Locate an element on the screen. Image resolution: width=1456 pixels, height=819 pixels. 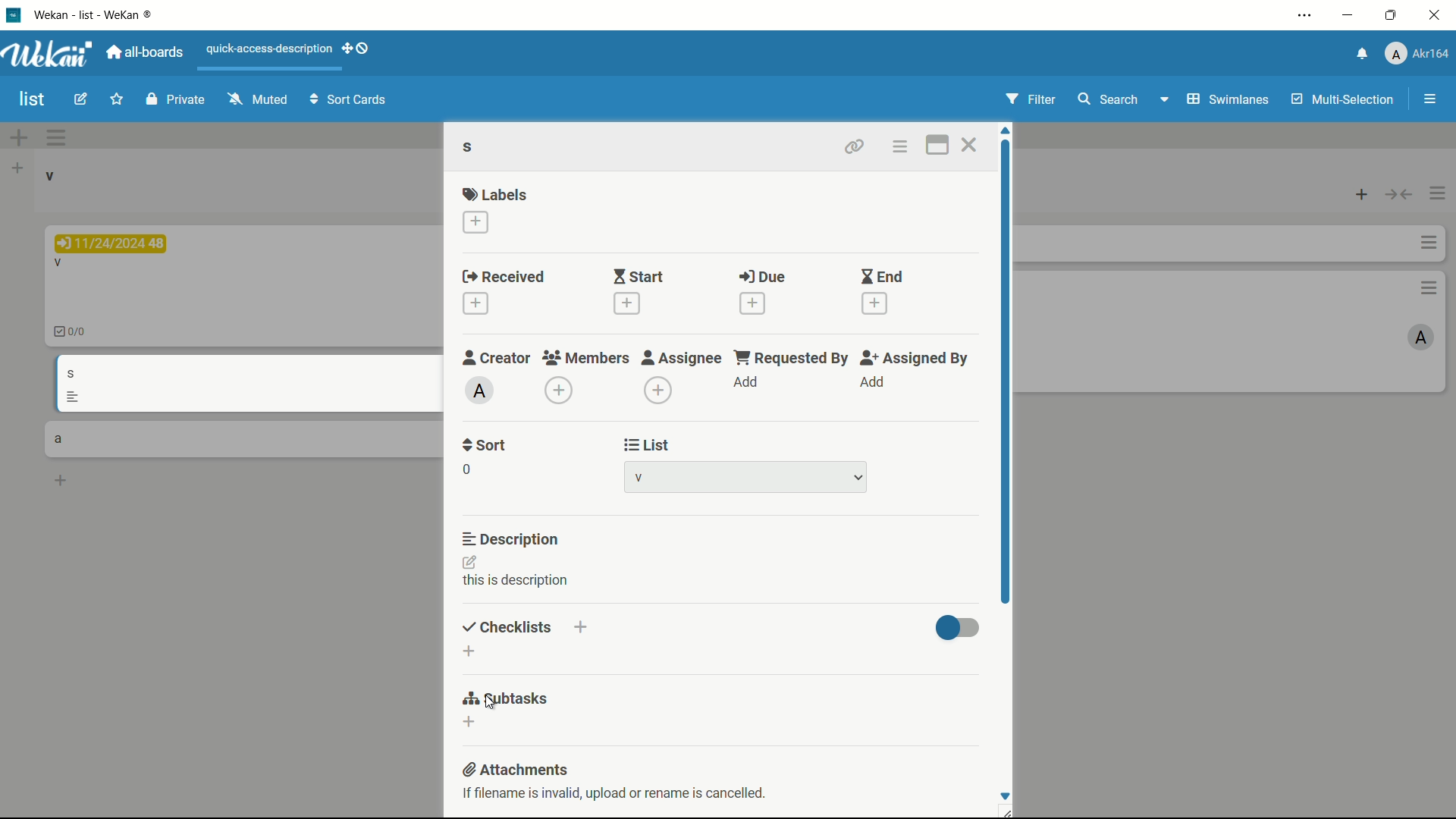
add member is located at coordinates (558, 391).